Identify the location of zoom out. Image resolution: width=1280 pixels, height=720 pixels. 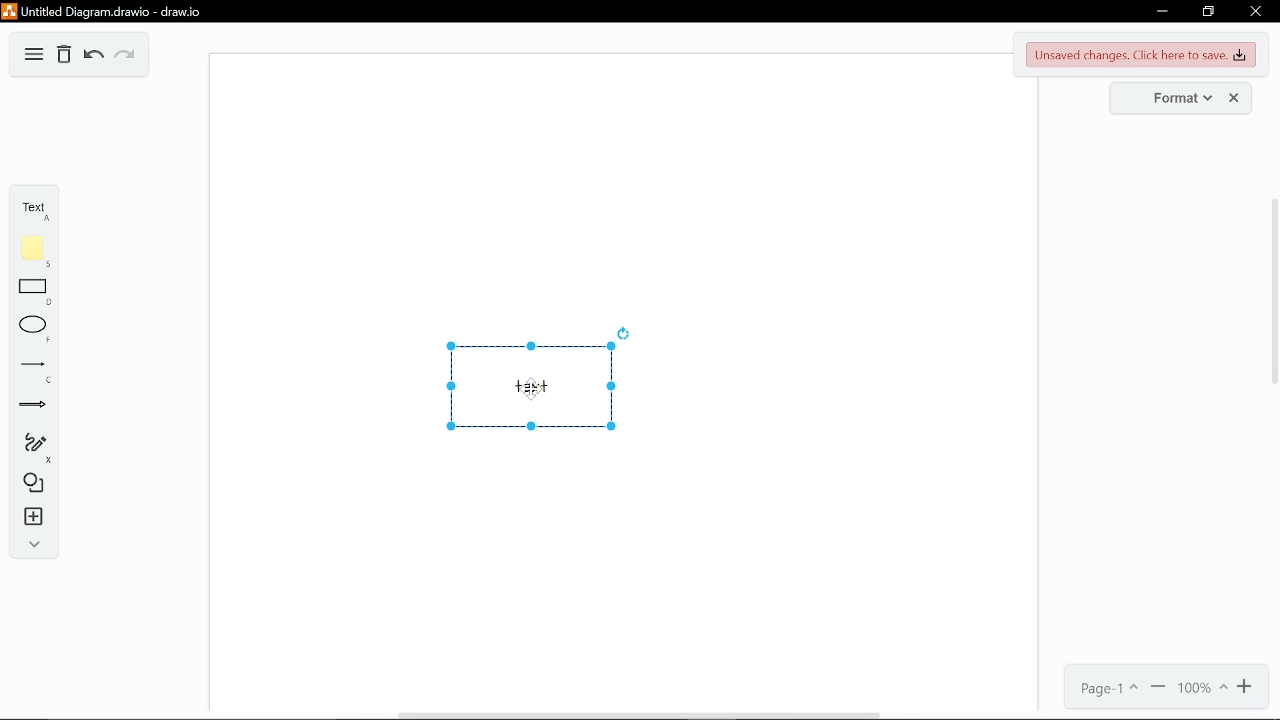
(1158, 687).